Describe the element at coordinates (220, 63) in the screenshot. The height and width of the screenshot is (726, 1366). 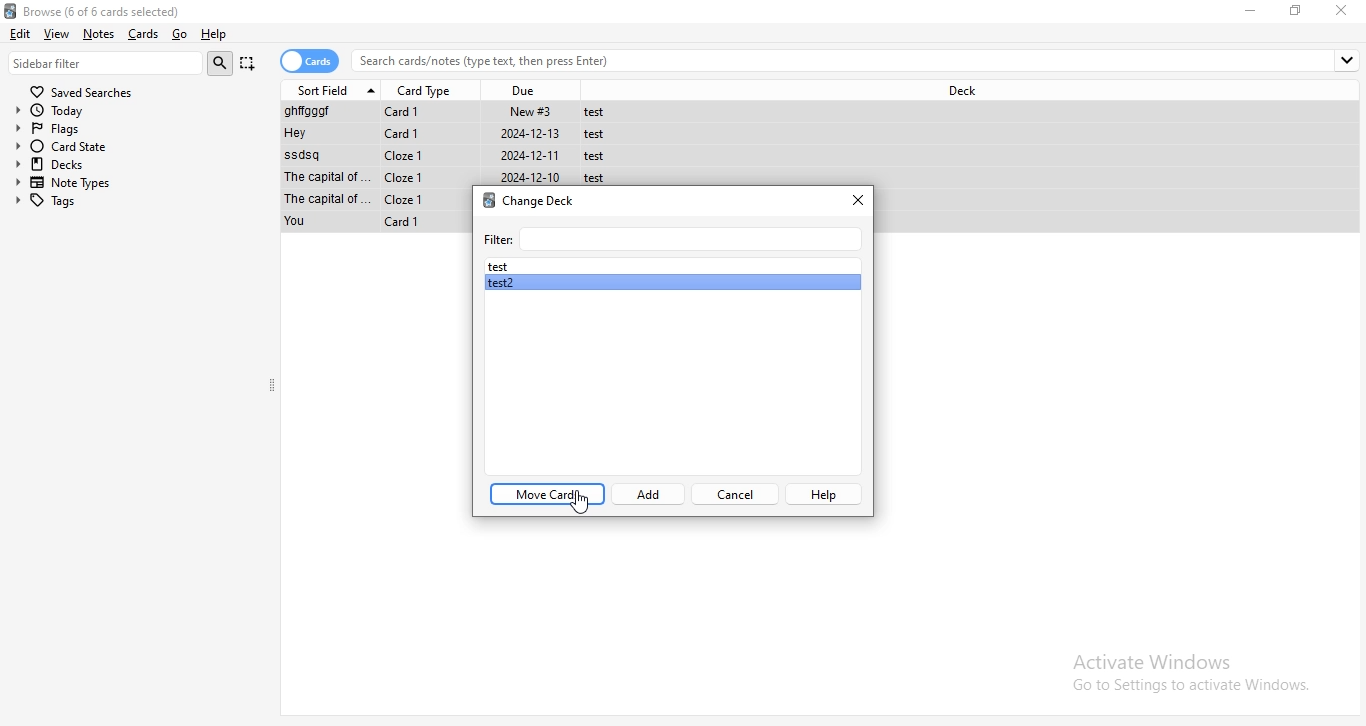
I see `search` at that location.